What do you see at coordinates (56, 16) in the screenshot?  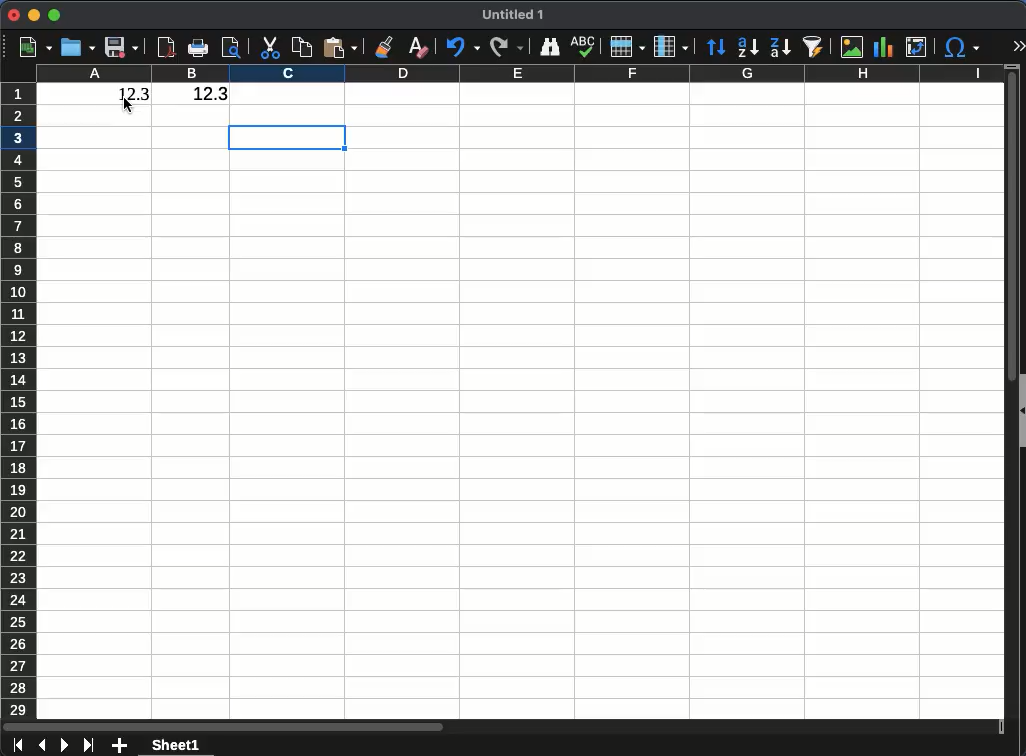 I see `maximize` at bounding box center [56, 16].